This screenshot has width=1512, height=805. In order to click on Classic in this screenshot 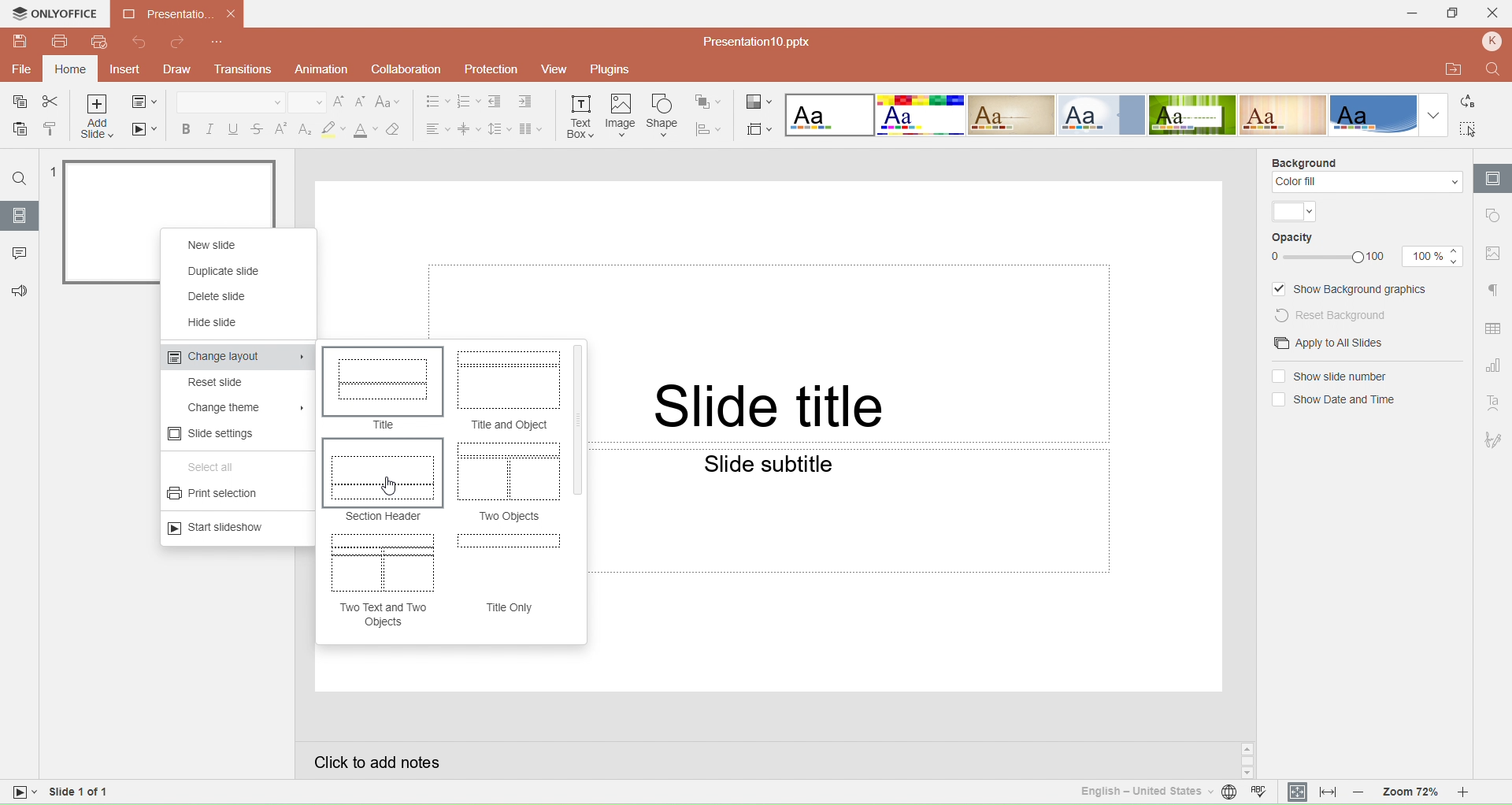, I will do `click(1011, 115)`.